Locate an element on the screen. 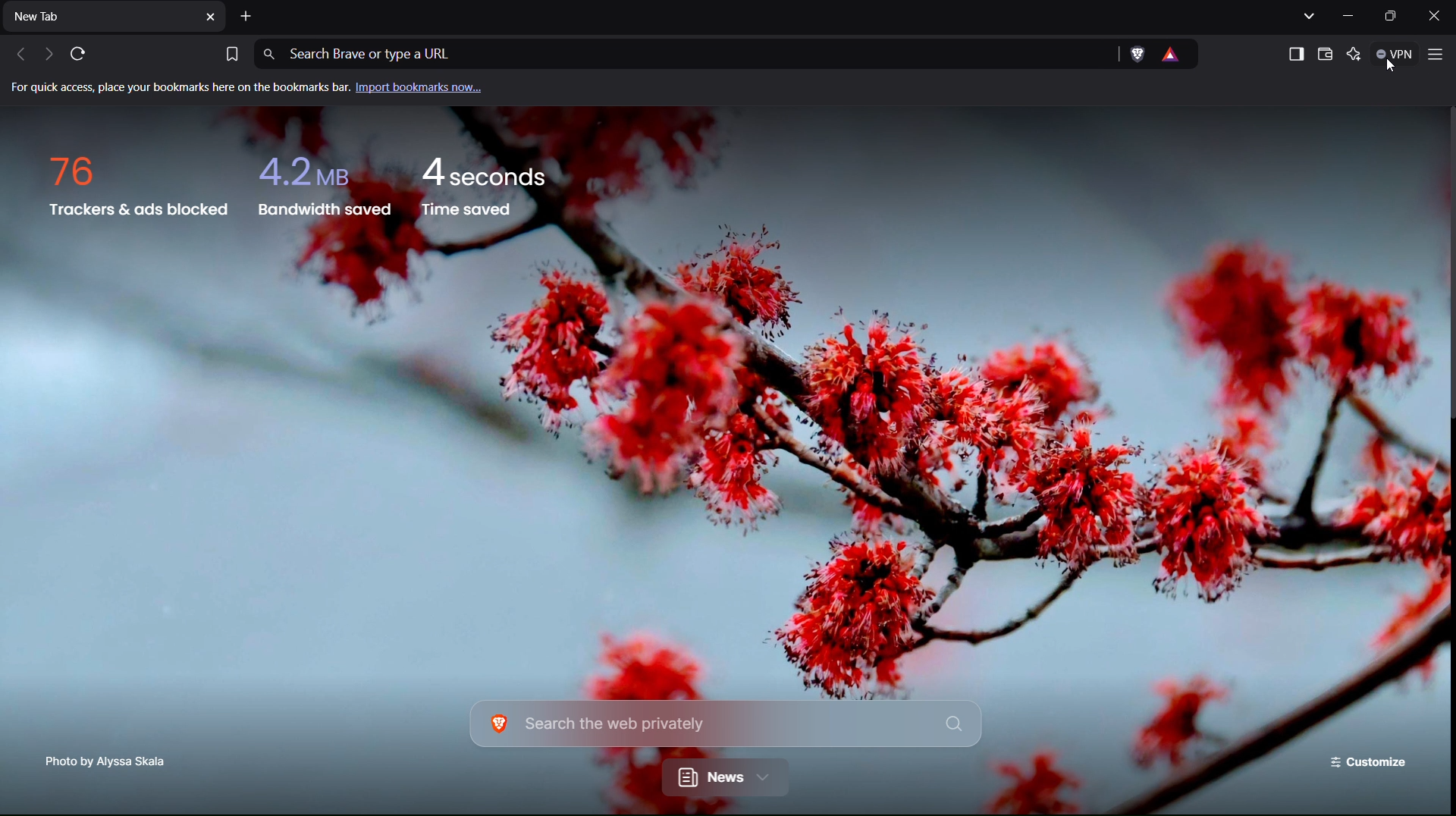 This screenshot has width=1456, height=816. New Tab is located at coordinates (115, 17).